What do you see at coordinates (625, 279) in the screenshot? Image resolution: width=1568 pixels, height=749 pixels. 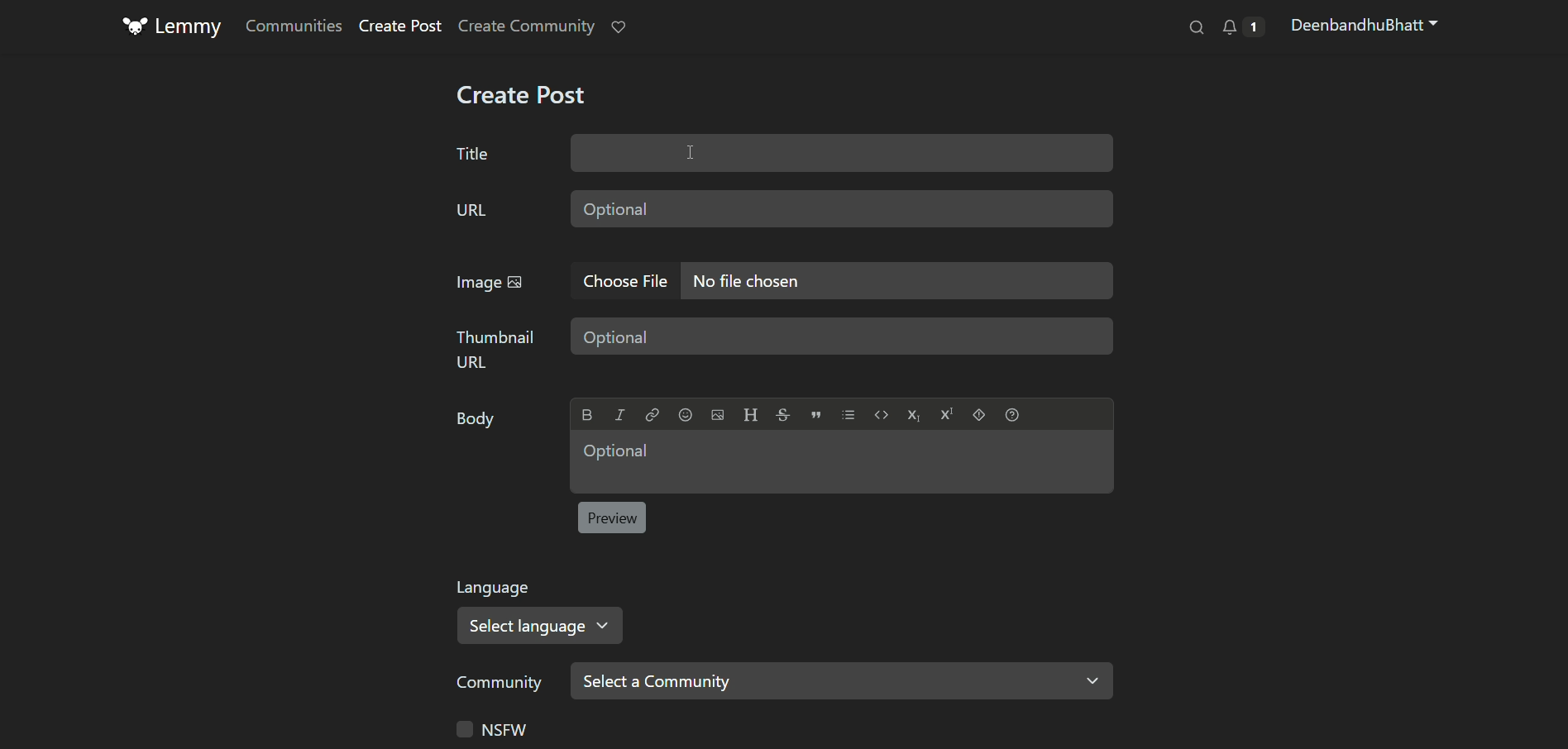 I see `choose file` at bounding box center [625, 279].